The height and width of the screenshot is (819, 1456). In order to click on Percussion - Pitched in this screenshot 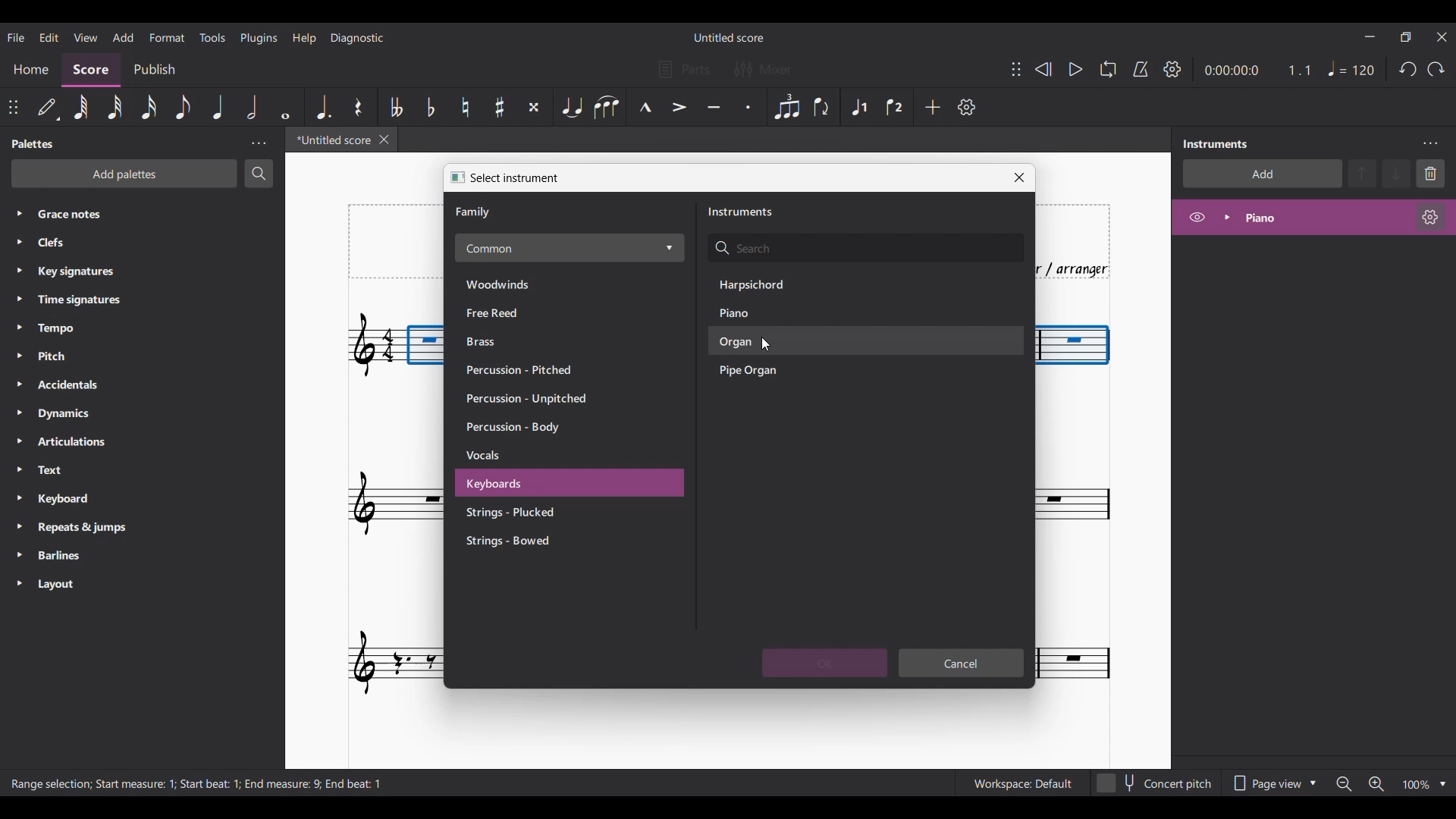, I will do `click(523, 369)`.